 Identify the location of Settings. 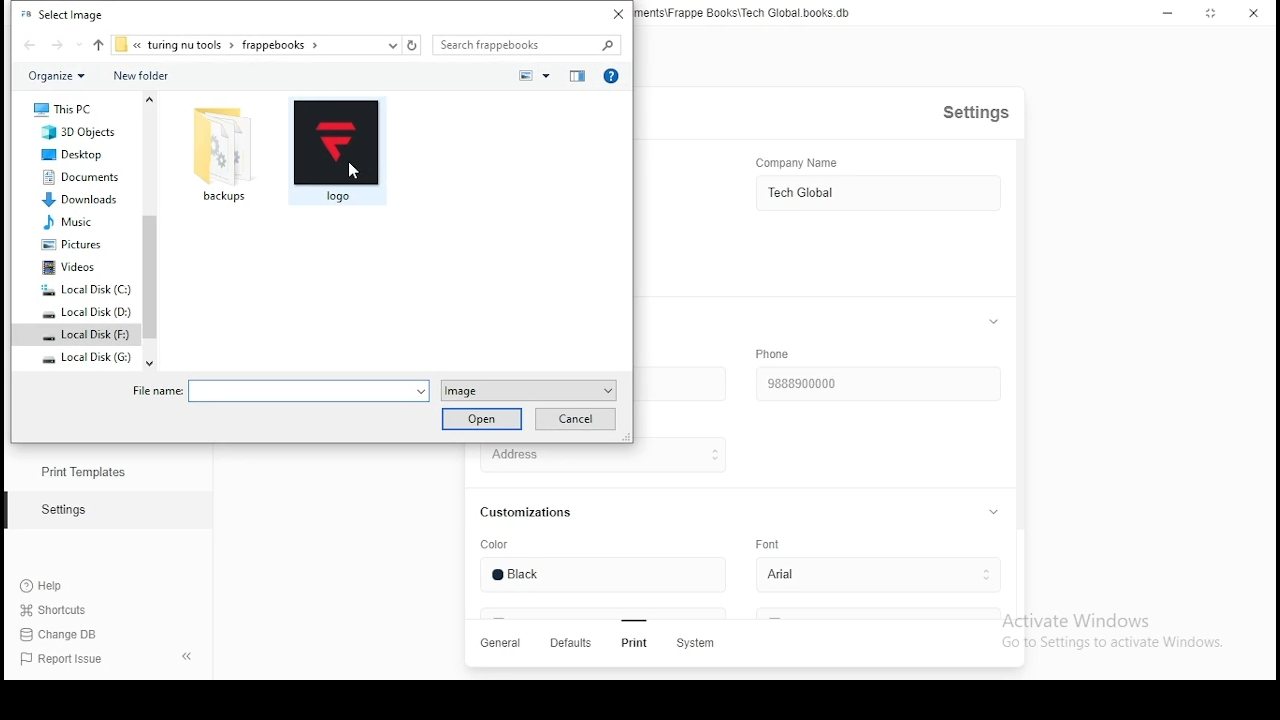
(984, 118).